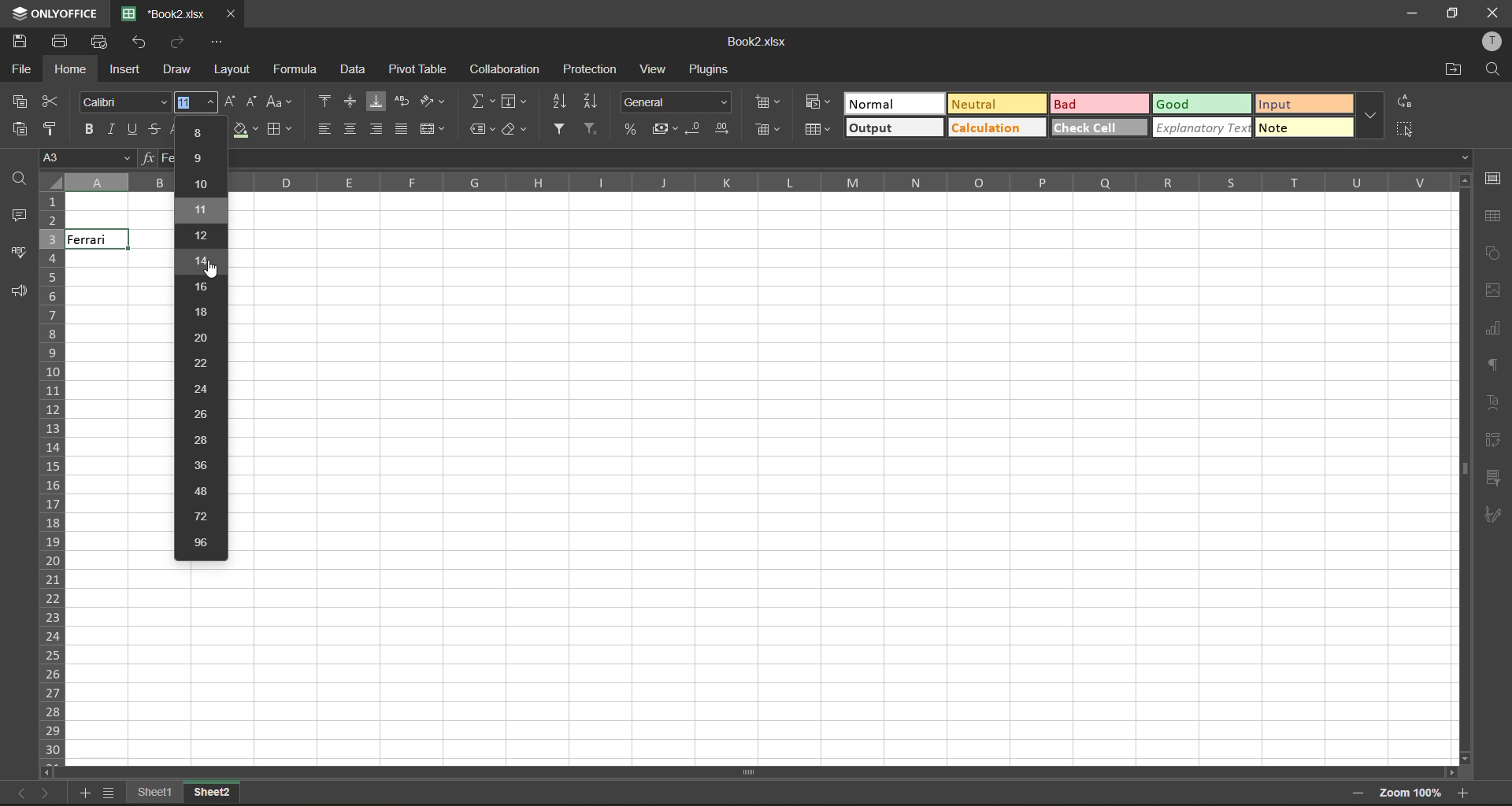  I want to click on 20, so click(199, 340).